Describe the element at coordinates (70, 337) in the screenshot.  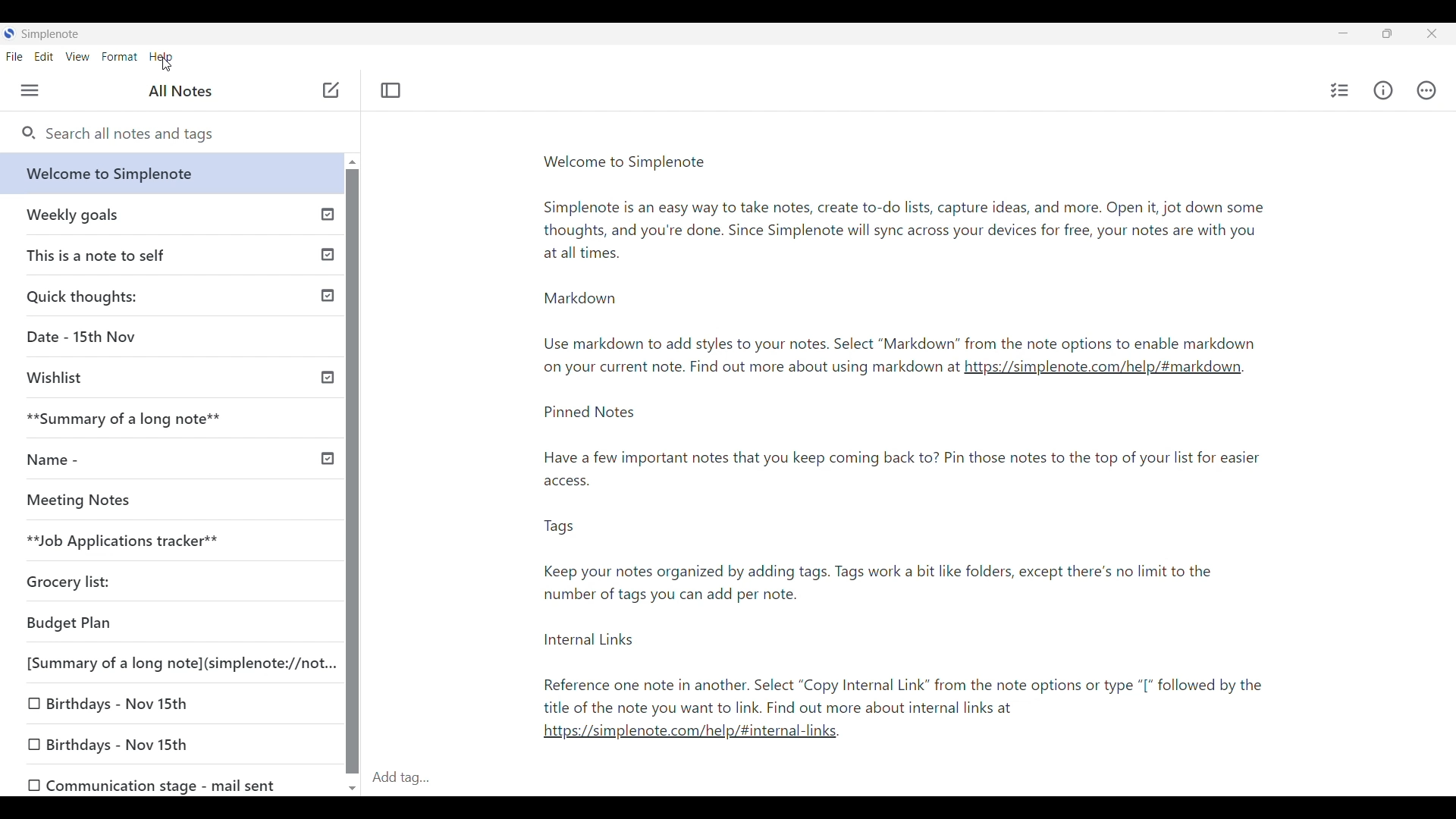
I see `Date - 15th Nov` at that location.